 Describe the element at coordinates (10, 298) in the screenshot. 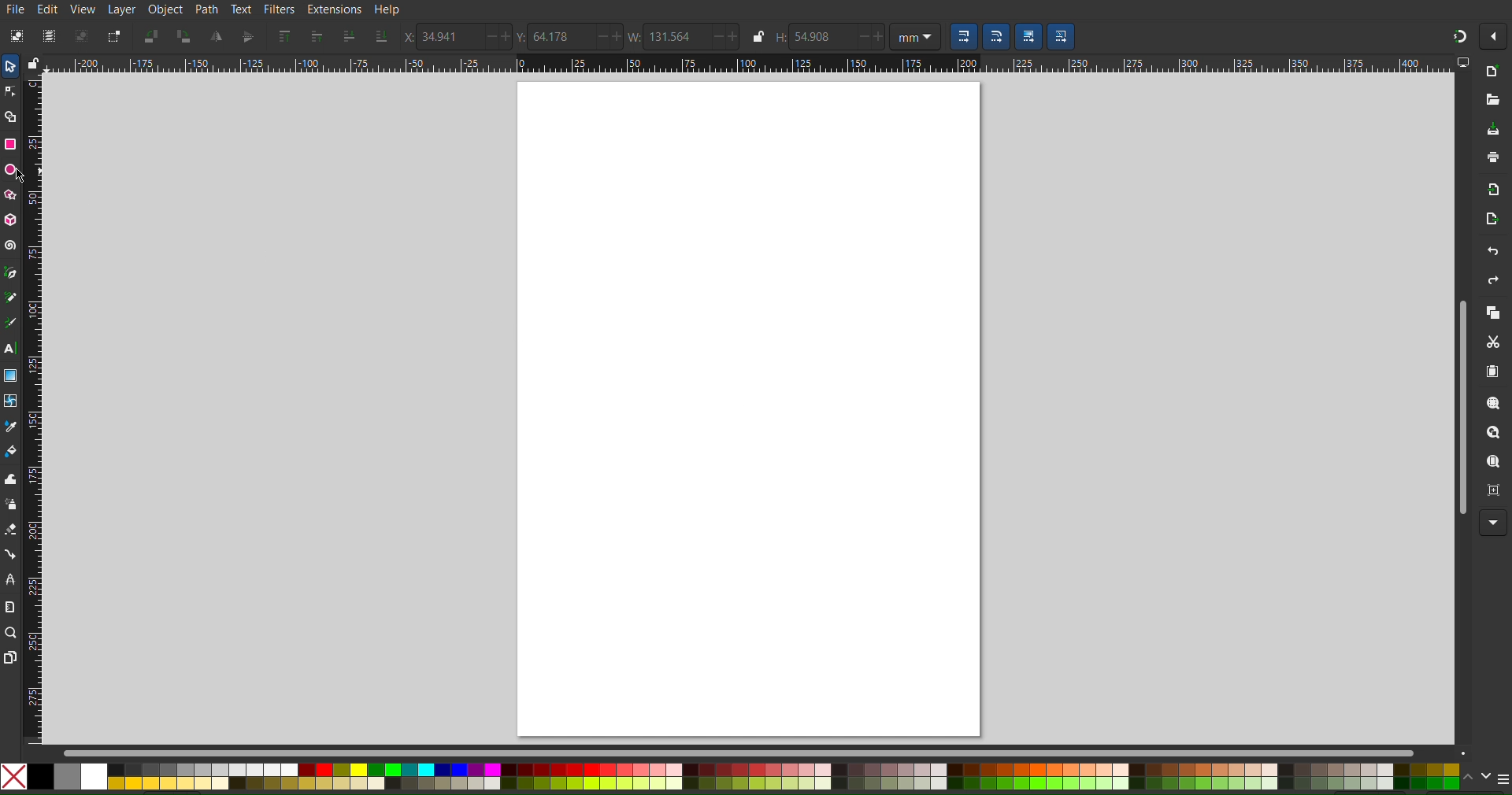

I see `Pencil Tool` at that location.